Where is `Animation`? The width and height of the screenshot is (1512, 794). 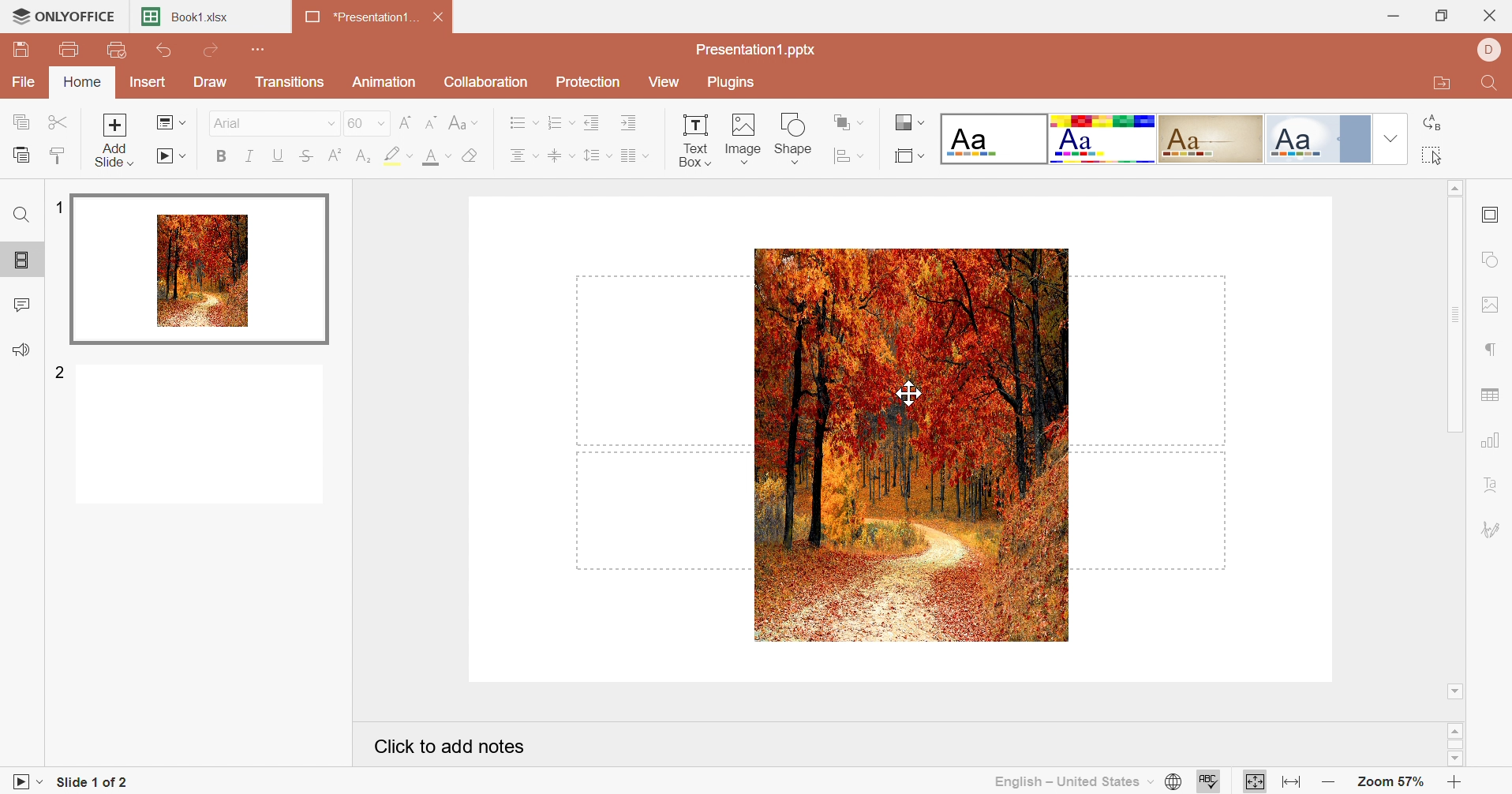
Animation is located at coordinates (387, 82).